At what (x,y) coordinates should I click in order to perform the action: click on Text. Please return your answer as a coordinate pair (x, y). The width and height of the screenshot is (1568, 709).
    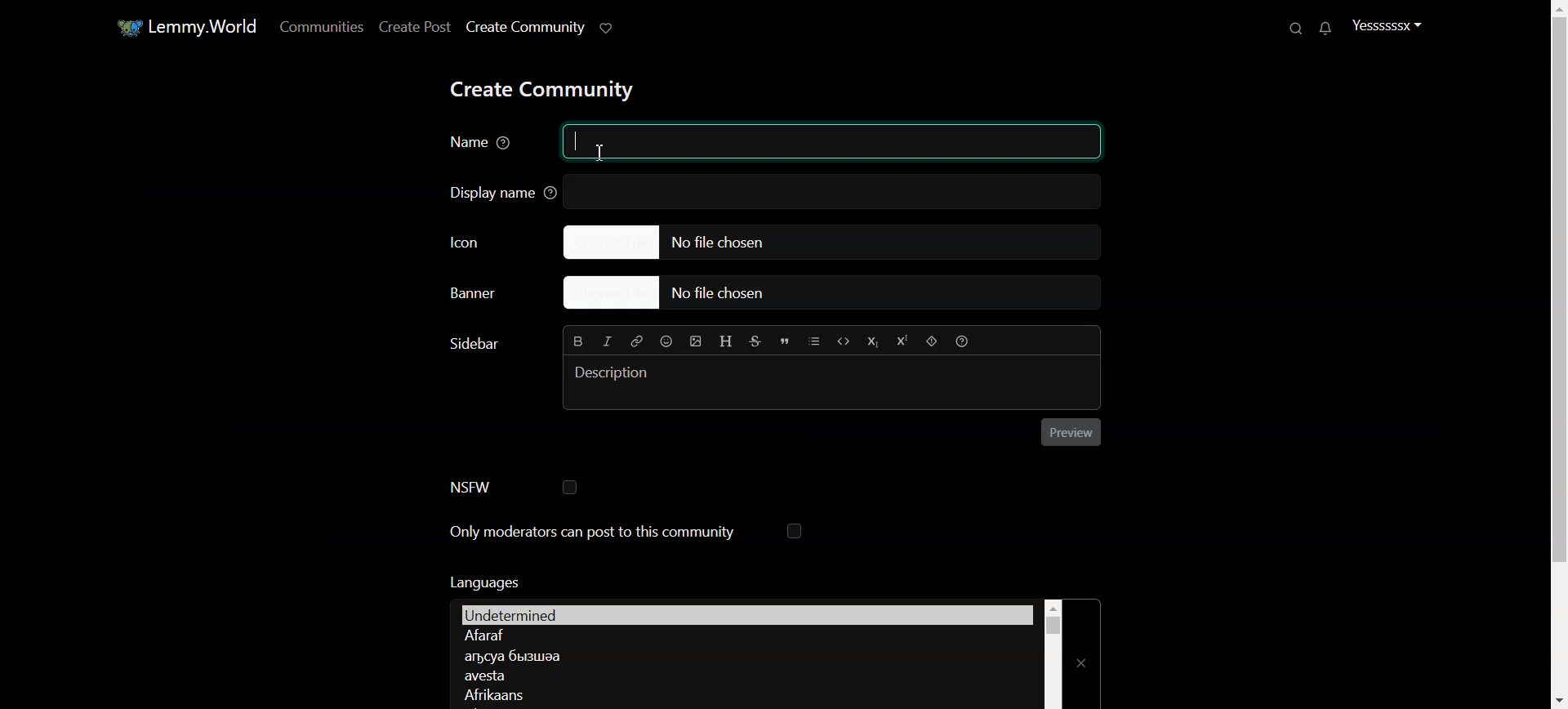
    Looking at the image, I should click on (472, 344).